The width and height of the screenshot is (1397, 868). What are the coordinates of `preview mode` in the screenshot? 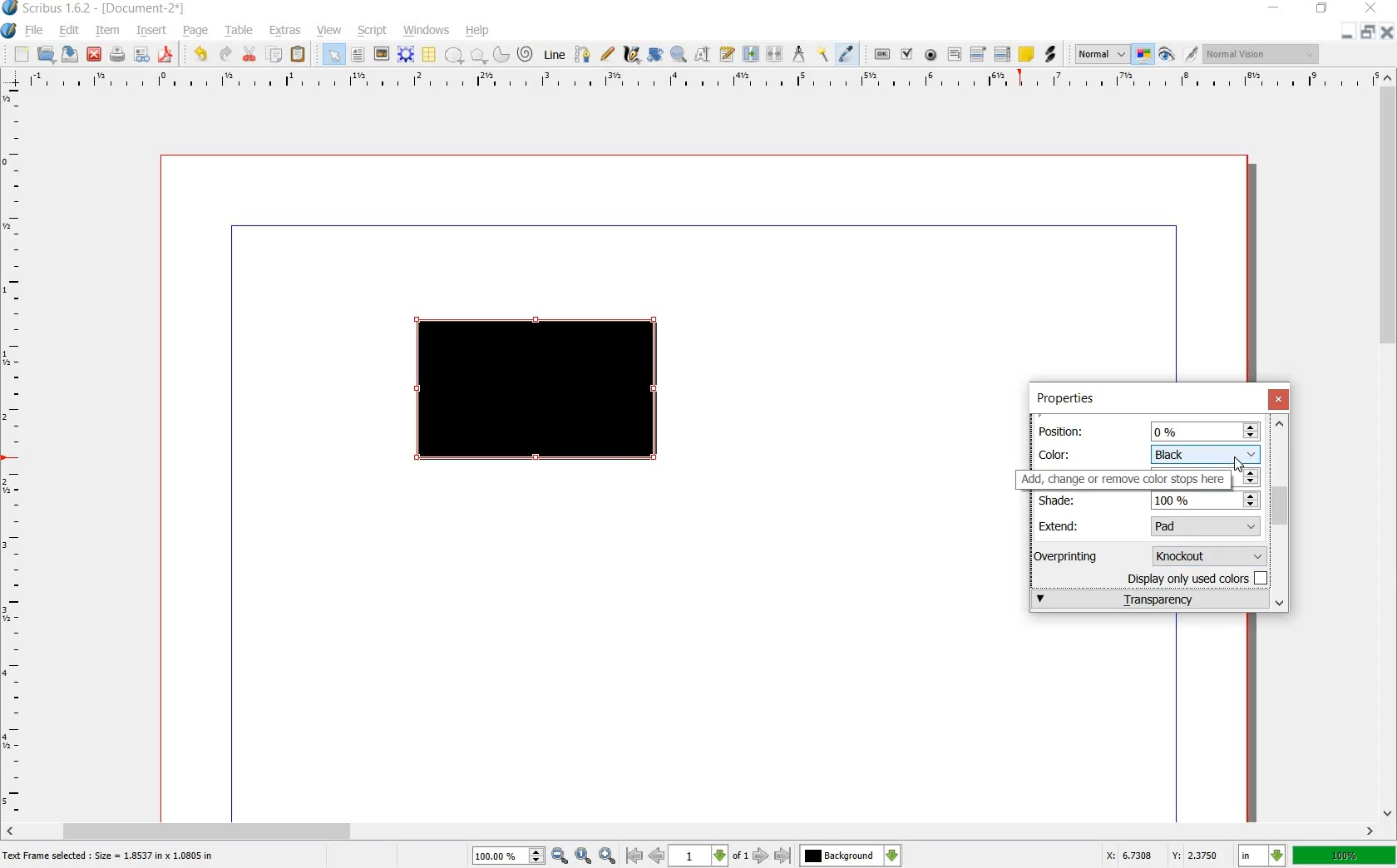 It's located at (1167, 54).